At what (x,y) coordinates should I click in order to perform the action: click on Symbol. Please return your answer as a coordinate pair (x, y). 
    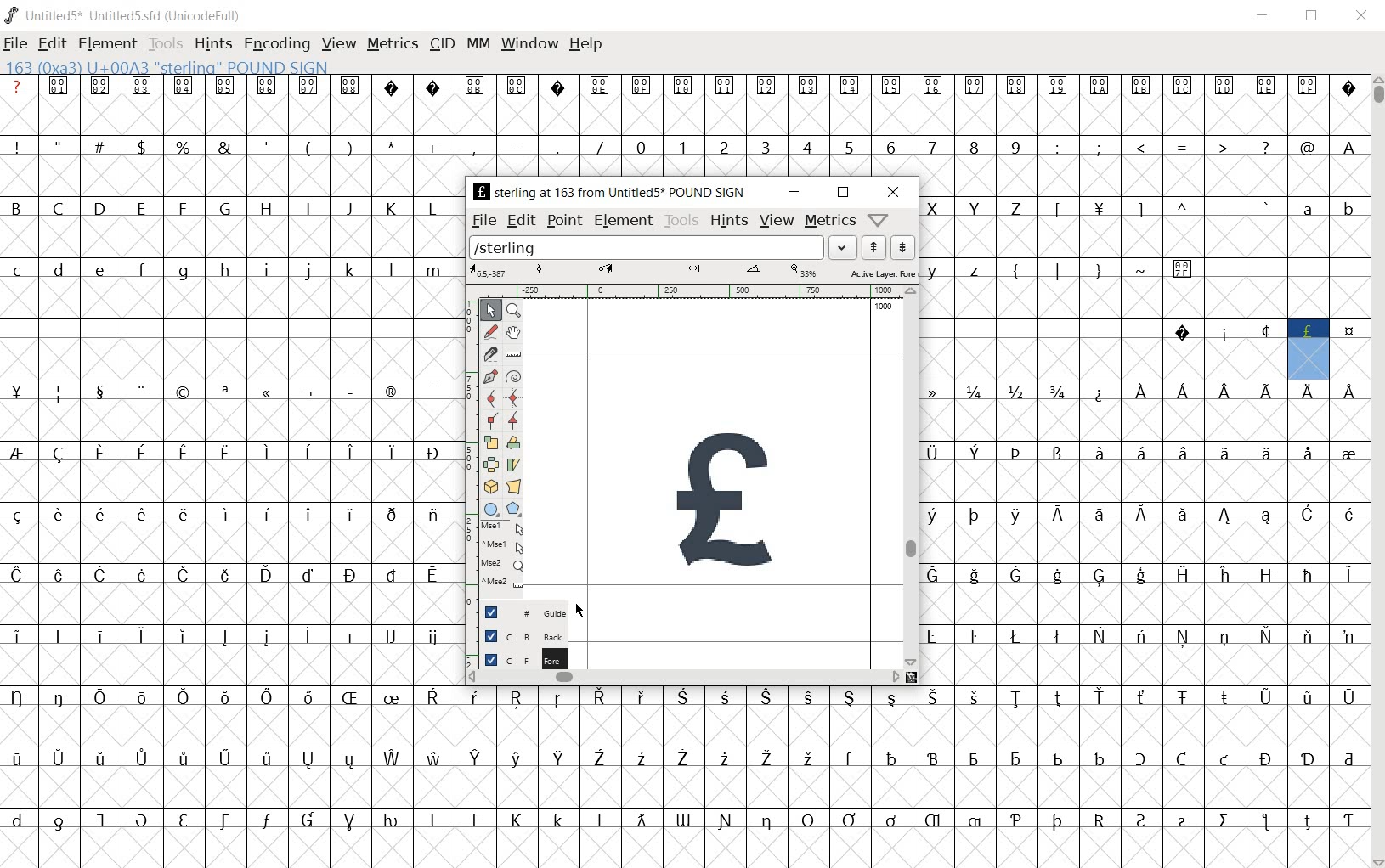
    Looking at the image, I should click on (392, 759).